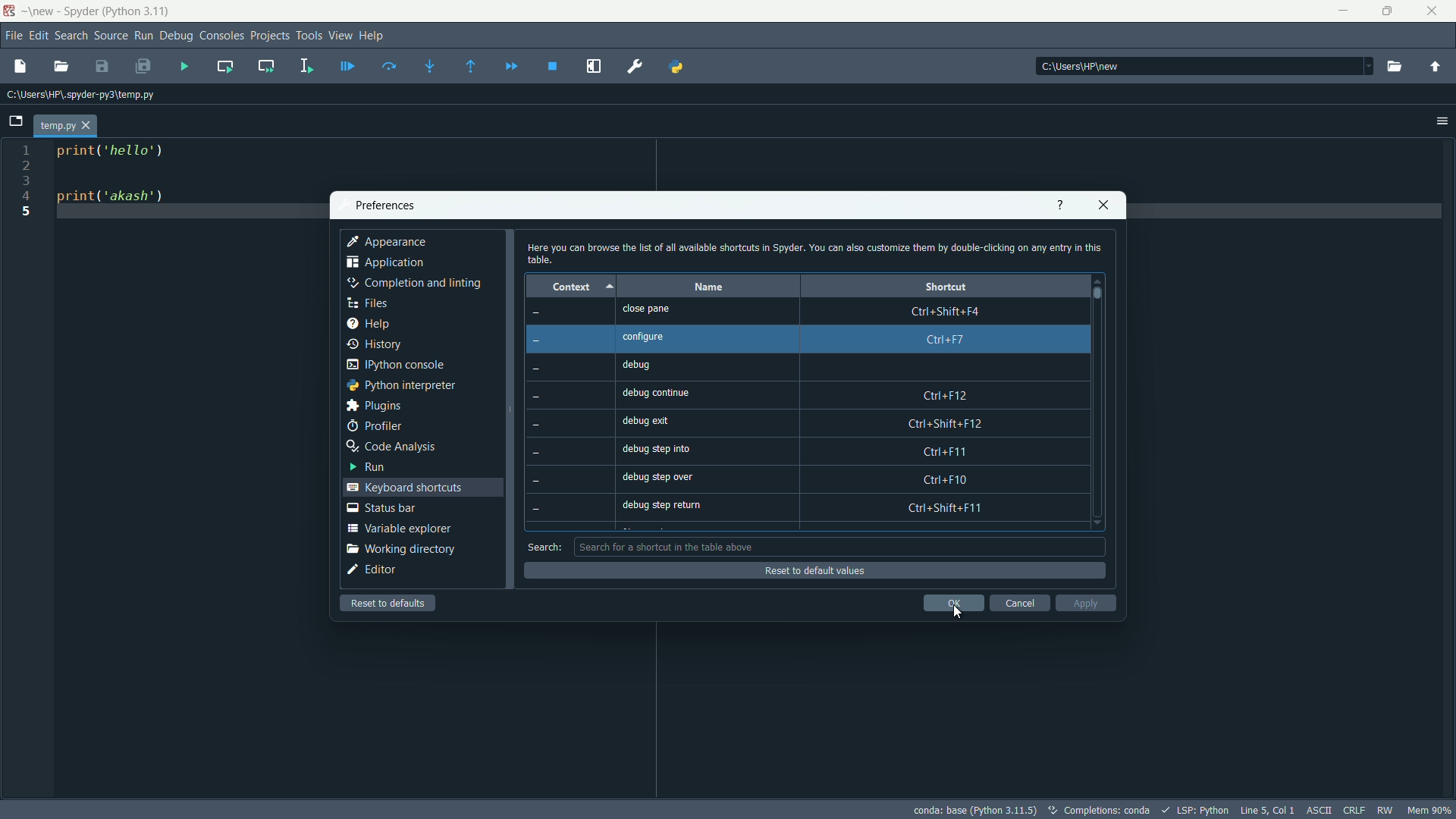 The width and height of the screenshot is (1456, 819). What do you see at coordinates (1354, 811) in the screenshot?
I see `file eol status` at bounding box center [1354, 811].